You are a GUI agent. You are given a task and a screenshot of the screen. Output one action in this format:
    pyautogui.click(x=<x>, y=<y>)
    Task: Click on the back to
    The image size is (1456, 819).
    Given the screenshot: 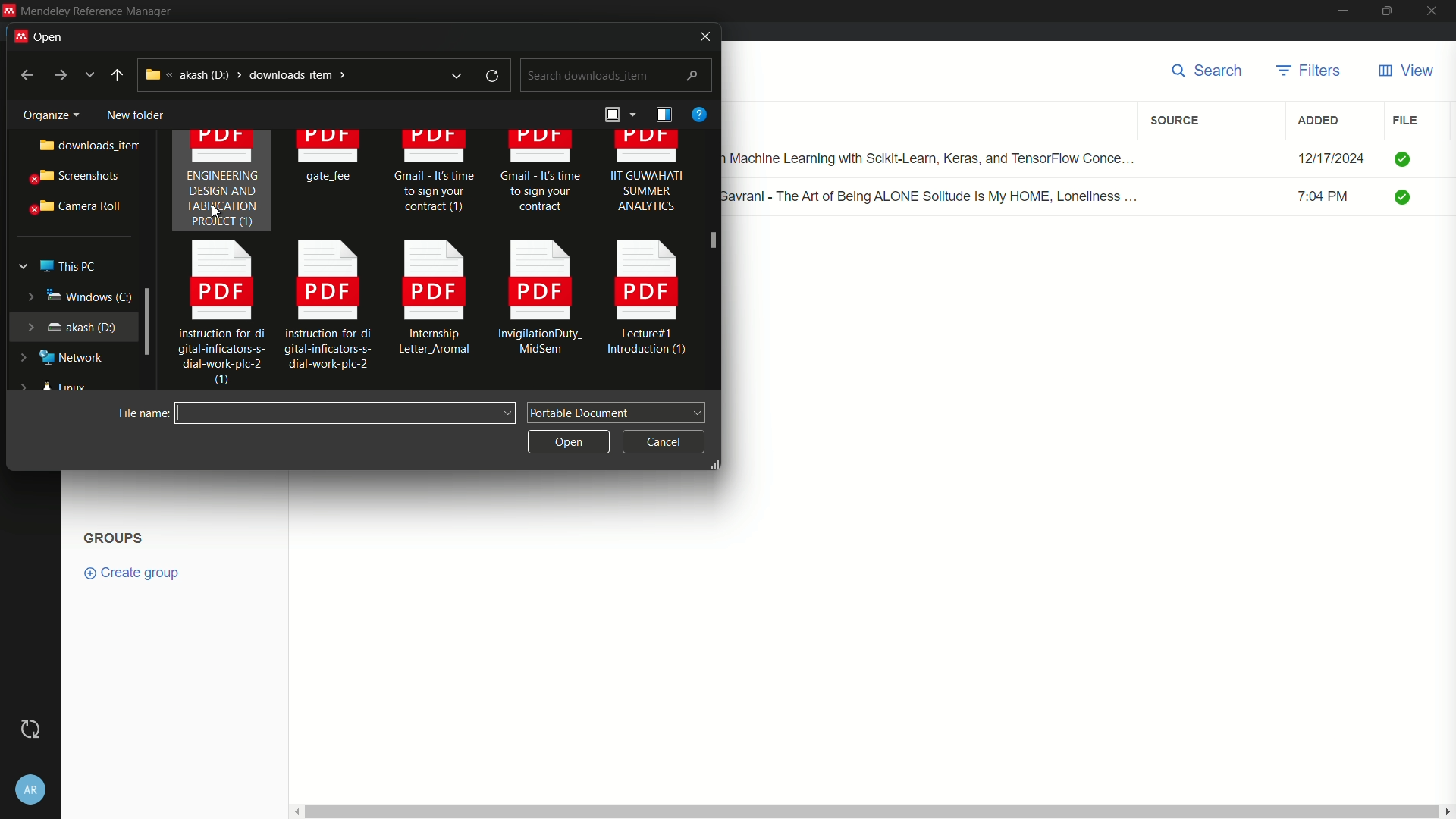 What is the action you would take?
    pyautogui.click(x=22, y=74)
    